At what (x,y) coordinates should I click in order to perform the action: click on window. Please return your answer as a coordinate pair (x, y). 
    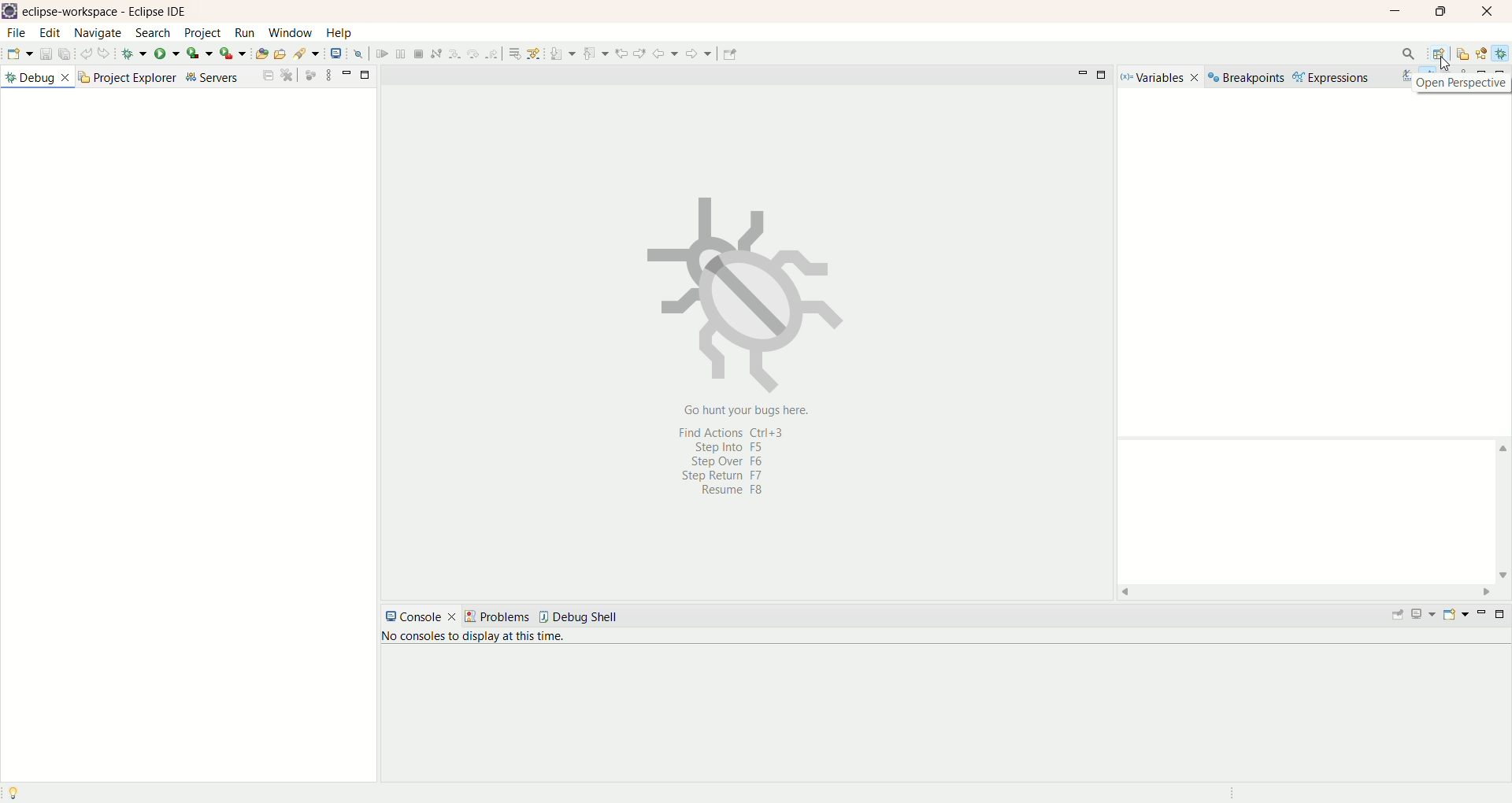
    Looking at the image, I should click on (292, 33).